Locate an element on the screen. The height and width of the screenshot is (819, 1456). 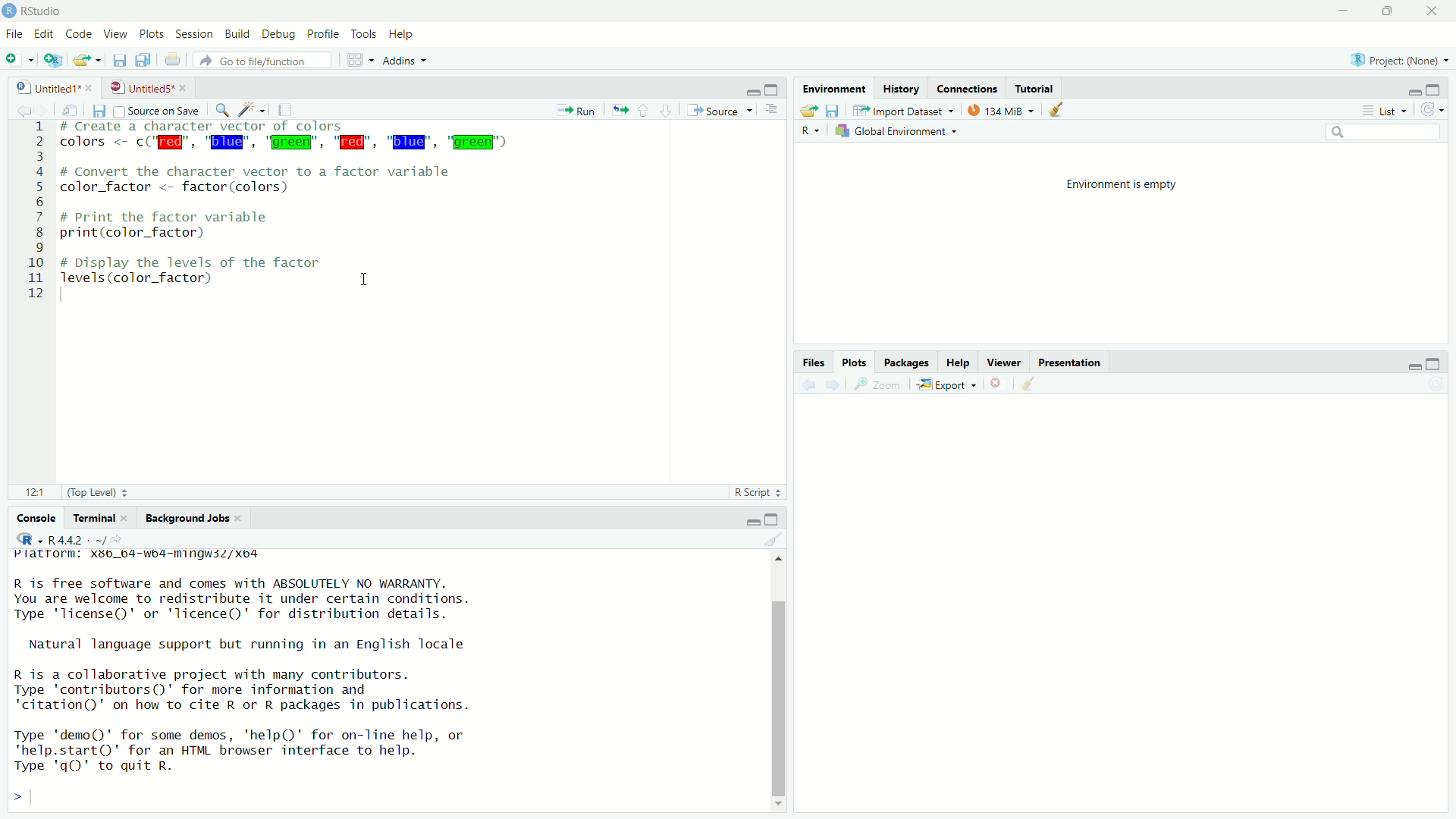
minimize is located at coordinates (1406, 87).